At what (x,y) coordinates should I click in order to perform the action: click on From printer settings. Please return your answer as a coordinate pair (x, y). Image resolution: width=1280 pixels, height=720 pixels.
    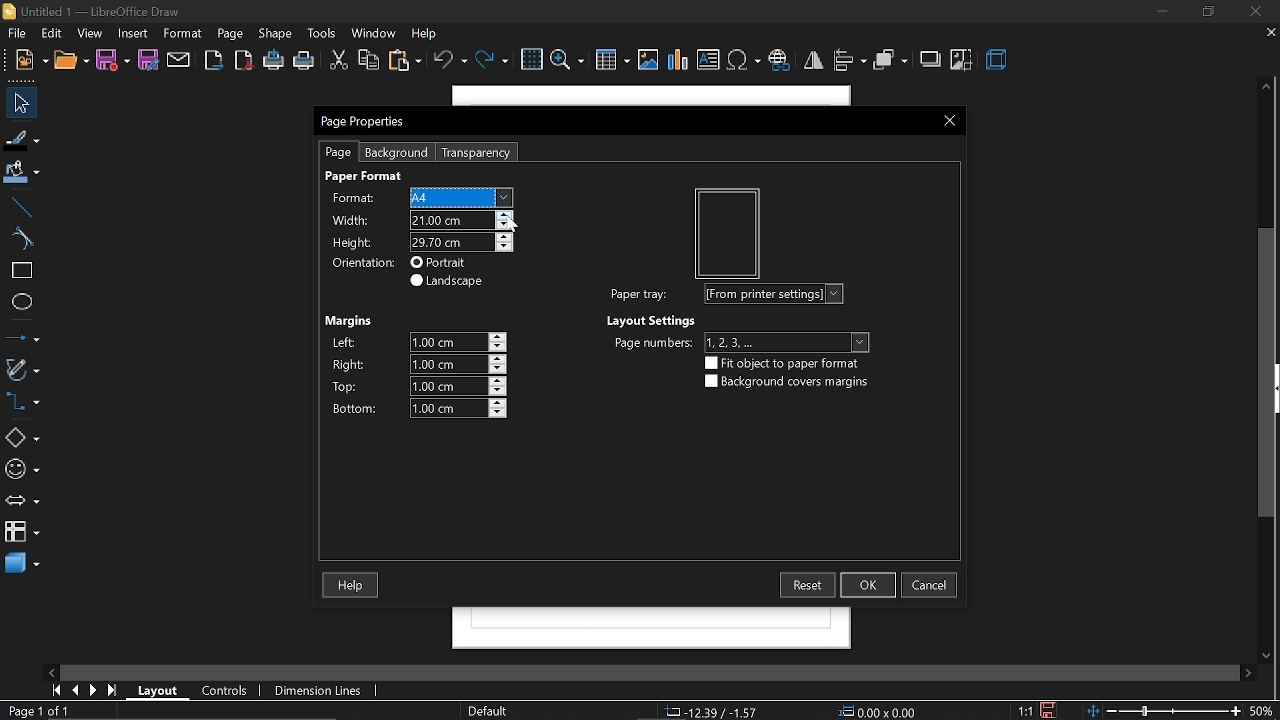
    Looking at the image, I should click on (774, 294).